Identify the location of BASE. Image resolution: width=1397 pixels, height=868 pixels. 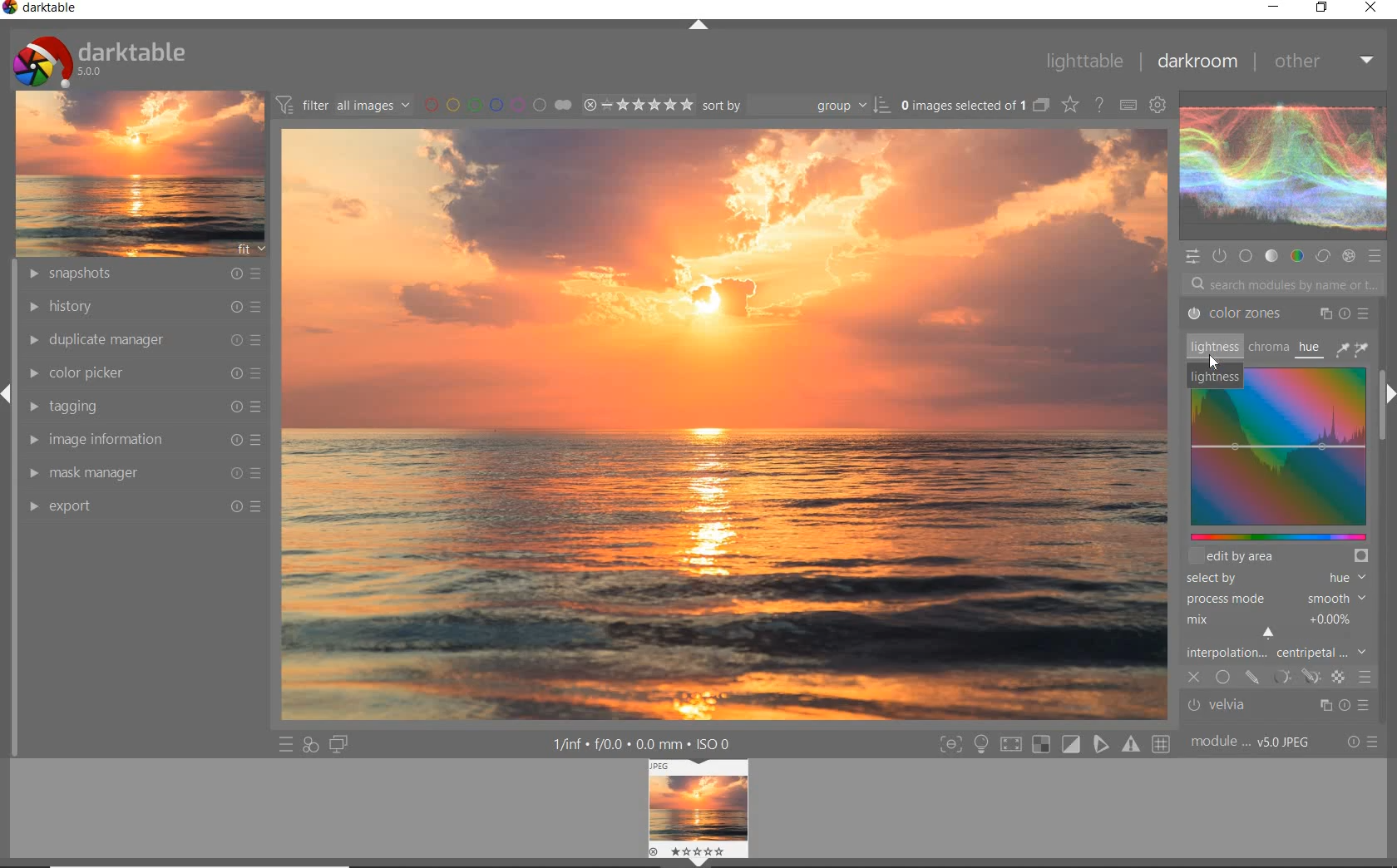
(1247, 256).